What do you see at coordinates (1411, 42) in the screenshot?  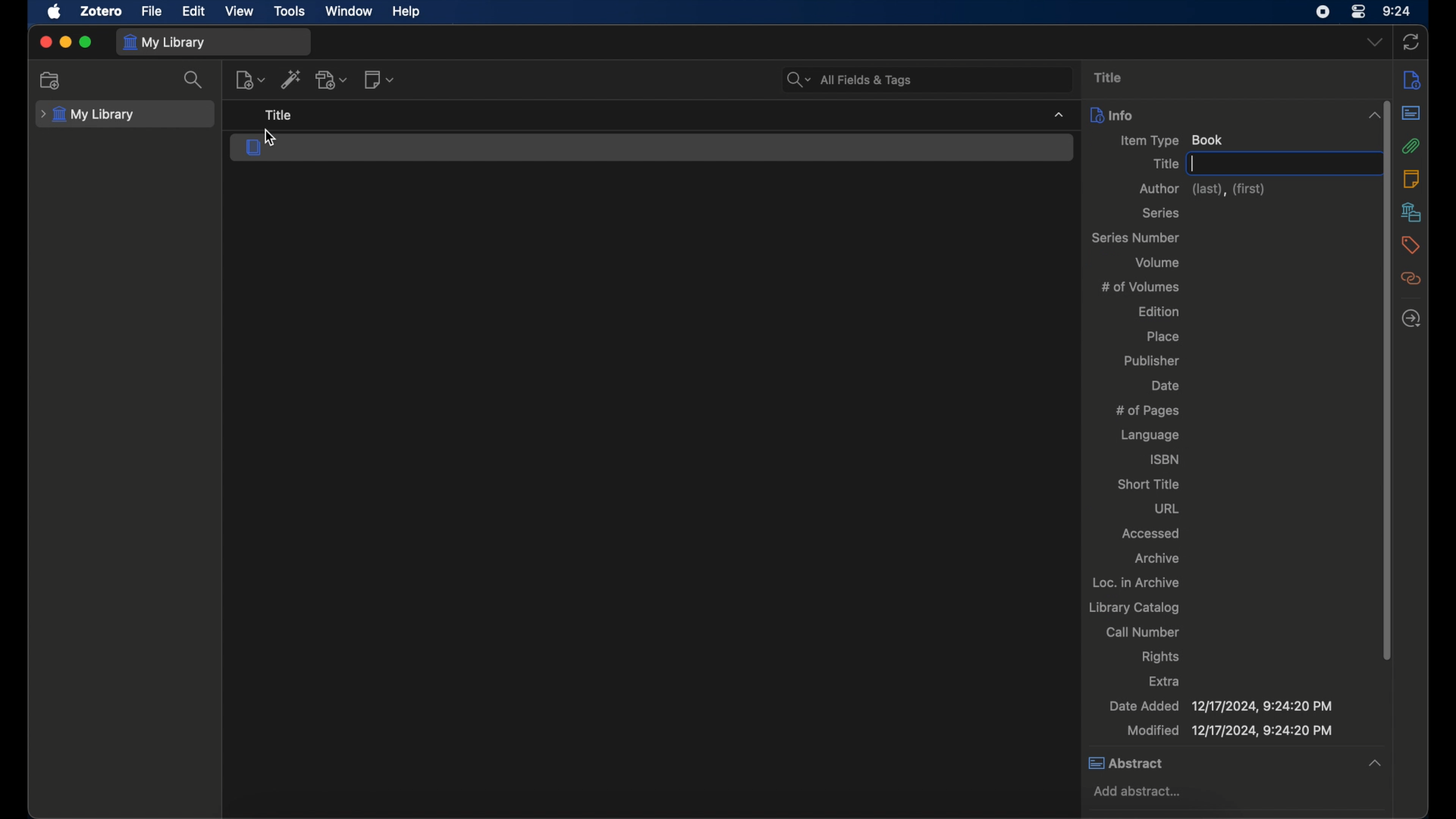 I see `sync` at bounding box center [1411, 42].